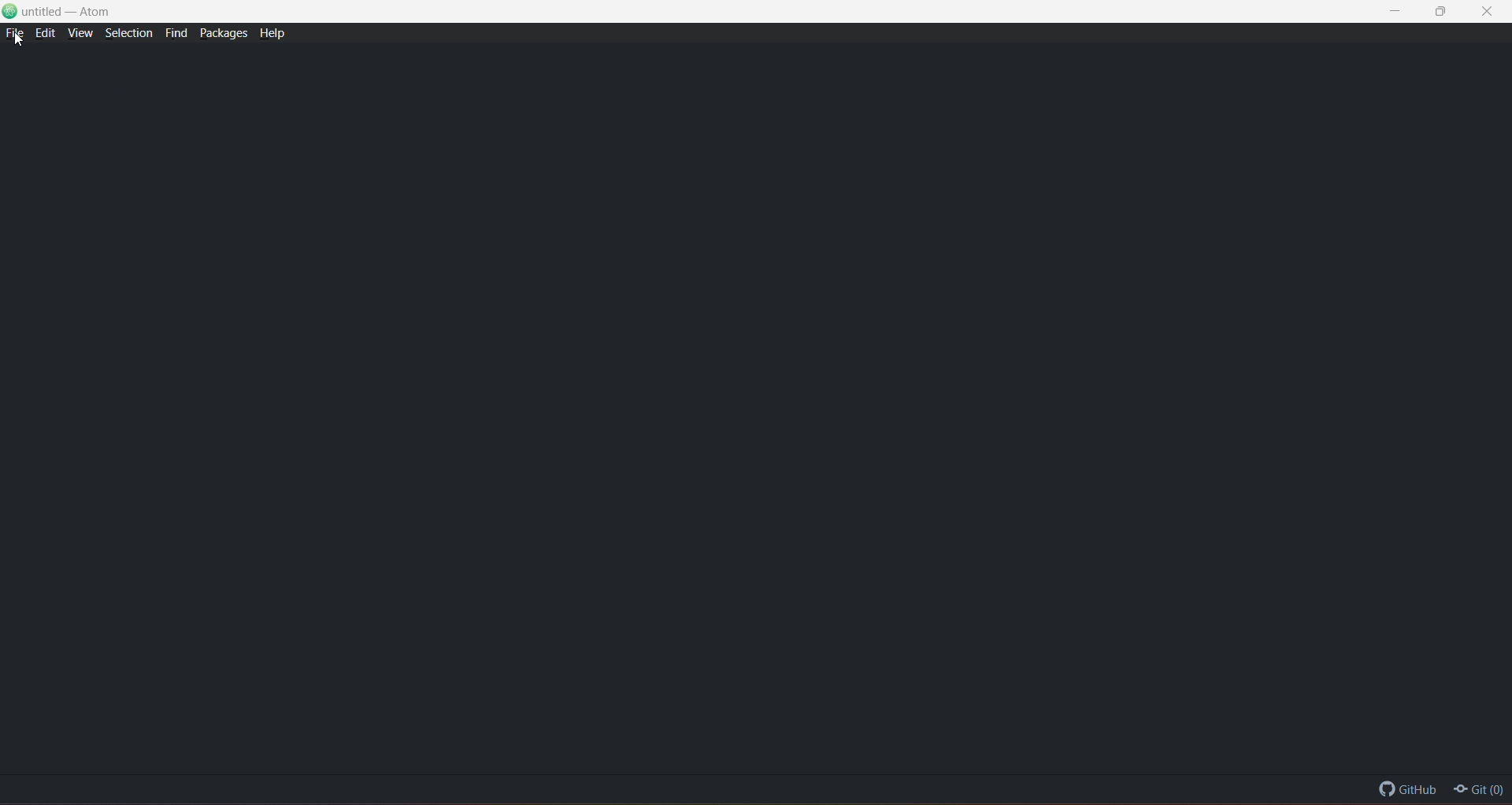  I want to click on Find, so click(177, 32).